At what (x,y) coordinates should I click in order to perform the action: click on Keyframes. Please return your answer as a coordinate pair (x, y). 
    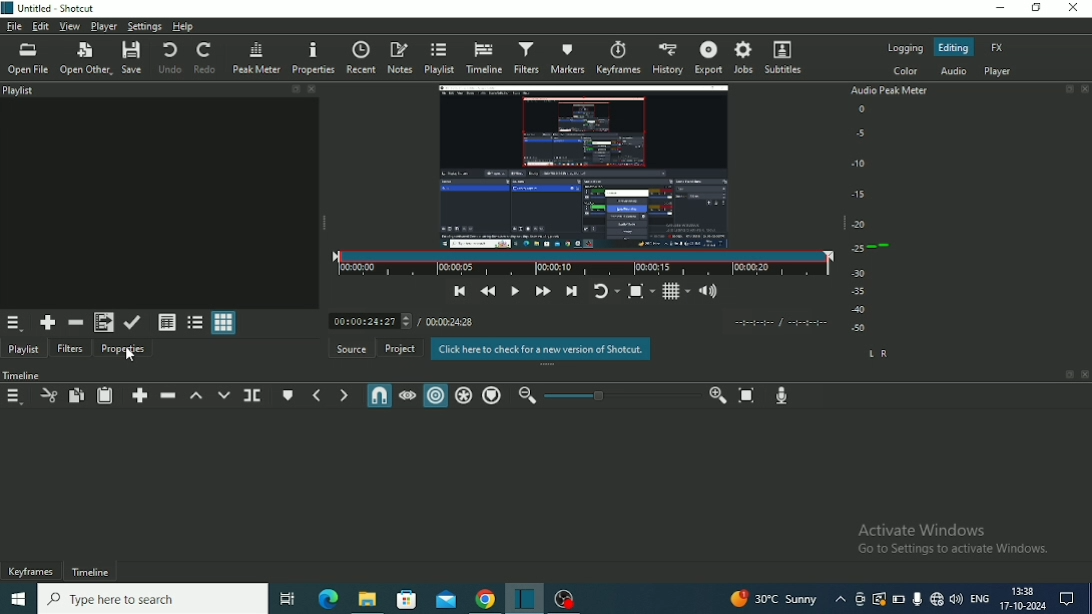
    Looking at the image, I should click on (32, 571).